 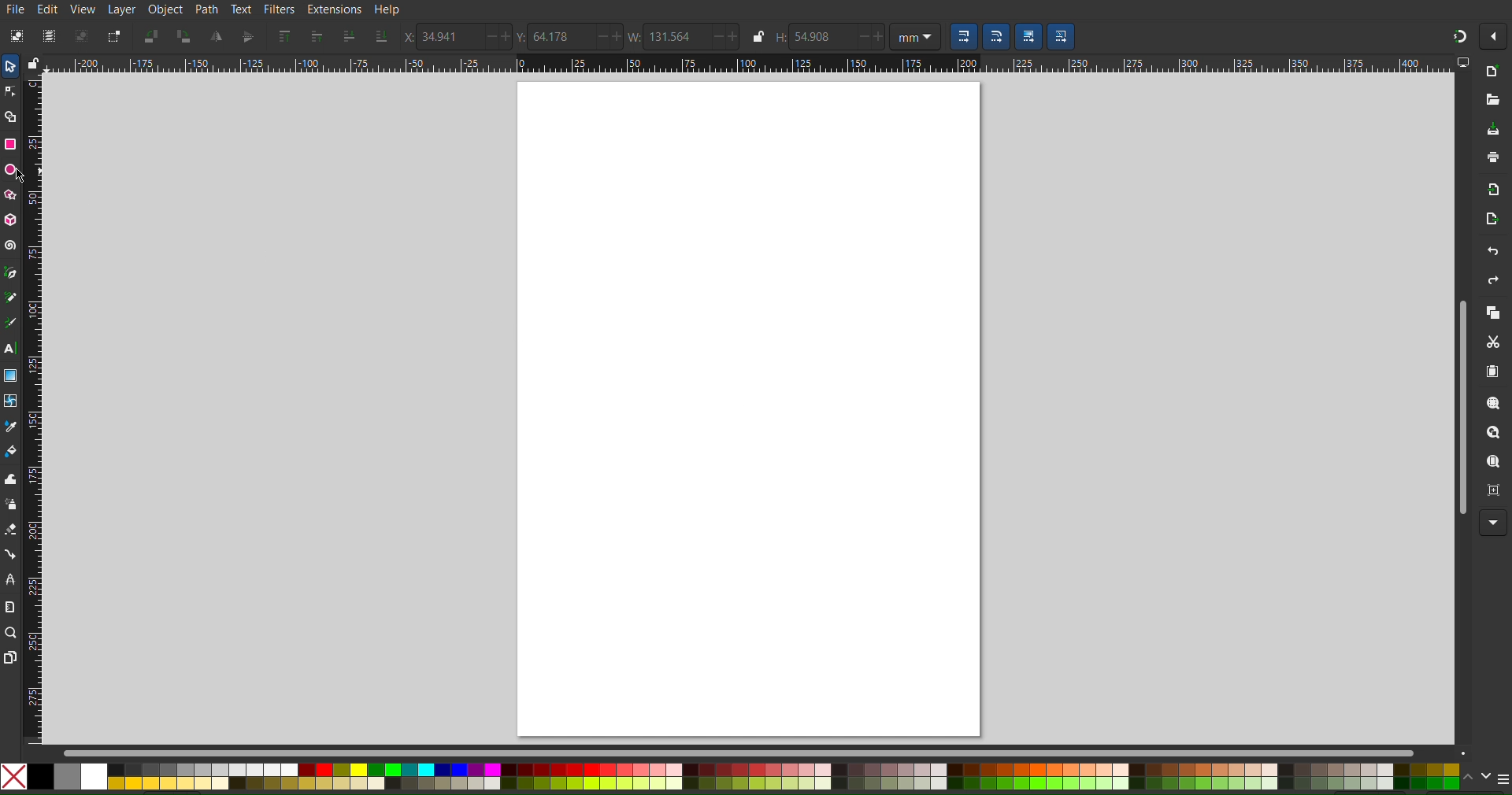 What do you see at coordinates (11, 401) in the screenshot?
I see `Mesh Tool` at bounding box center [11, 401].